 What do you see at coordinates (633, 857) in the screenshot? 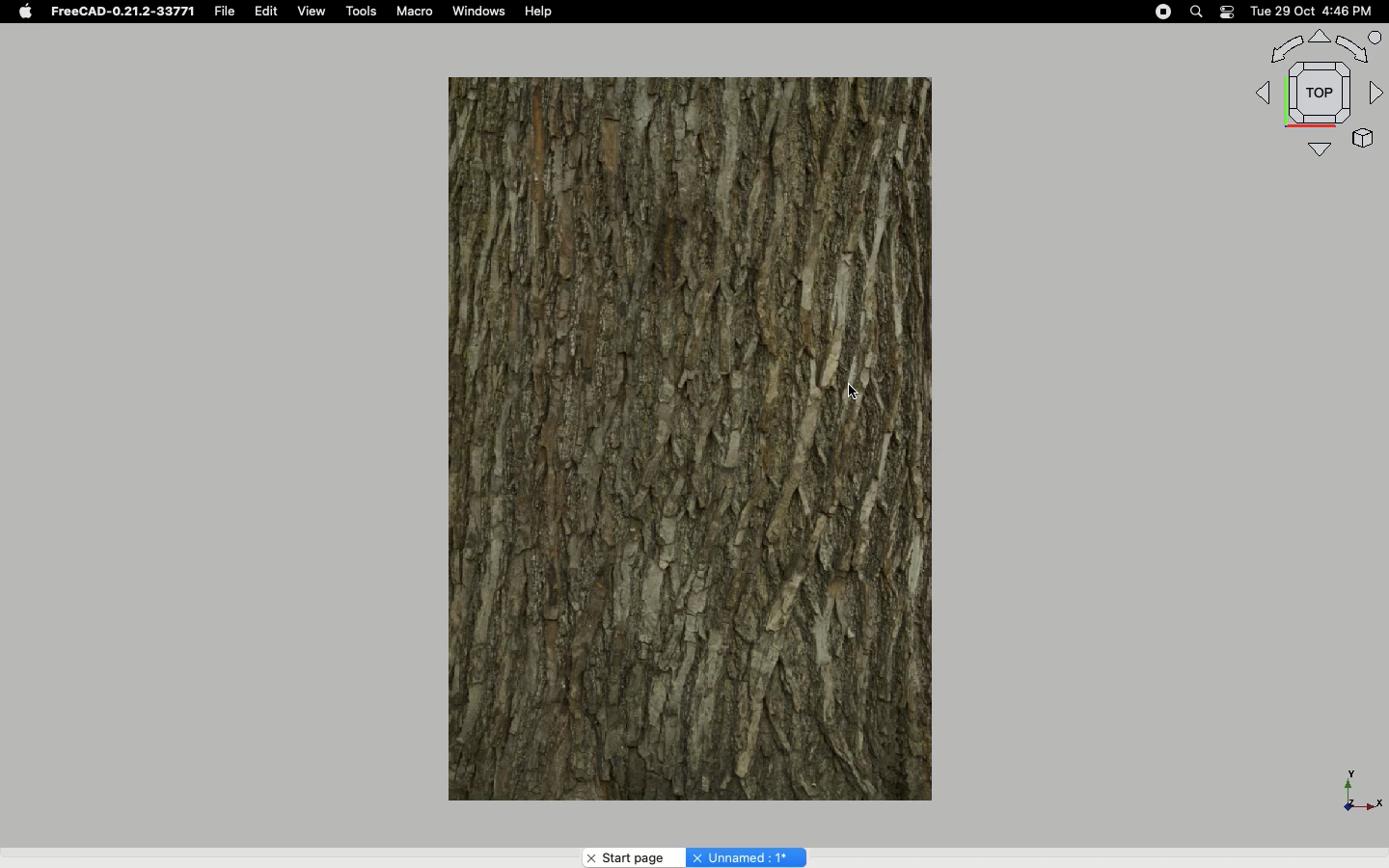
I see `Start page` at bounding box center [633, 857].